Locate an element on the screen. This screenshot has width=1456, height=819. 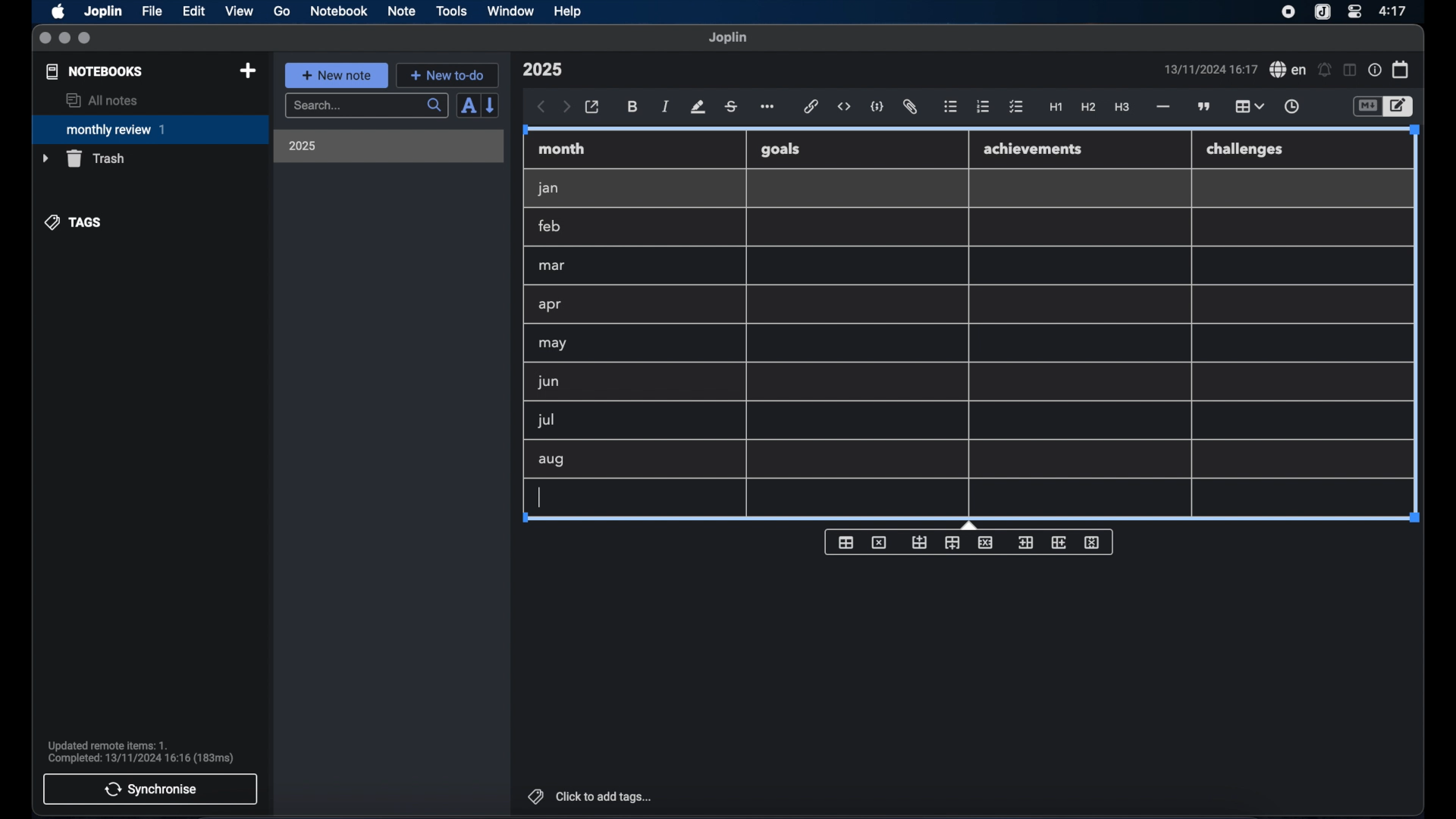
horizontal rule is located at coordinates (1162, 107).